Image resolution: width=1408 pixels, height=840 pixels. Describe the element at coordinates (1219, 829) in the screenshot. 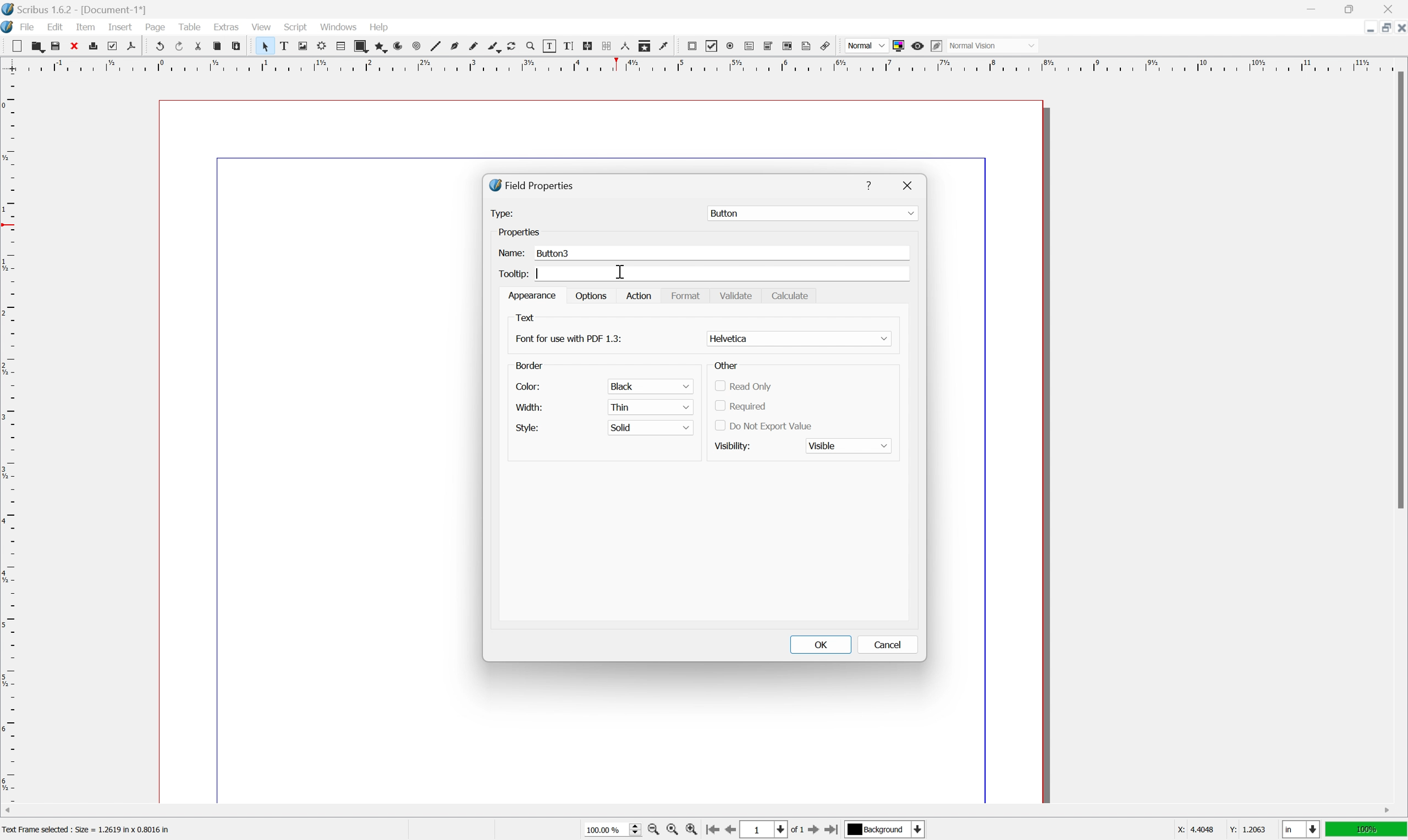

I see `X: 44048 Y: 1.2063` at that location.